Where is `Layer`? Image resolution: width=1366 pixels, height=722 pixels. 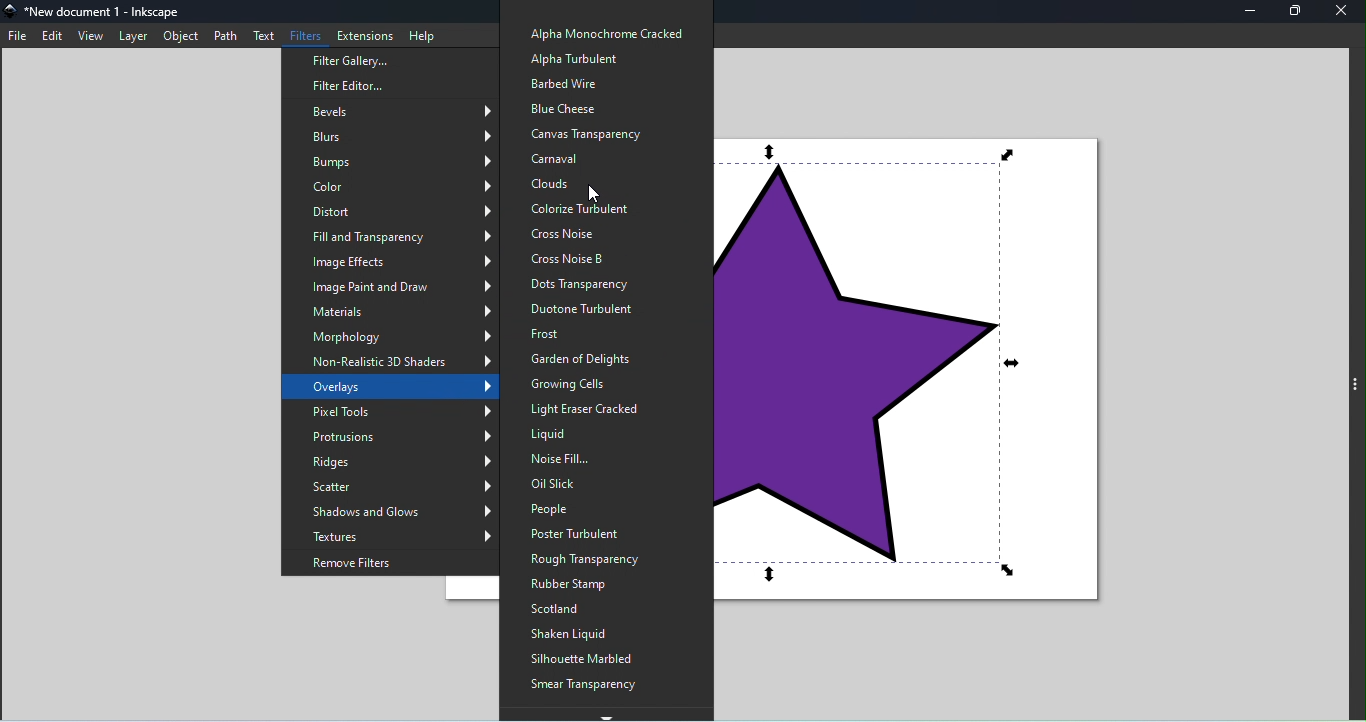
Layer is located at coordinates (135, 36).